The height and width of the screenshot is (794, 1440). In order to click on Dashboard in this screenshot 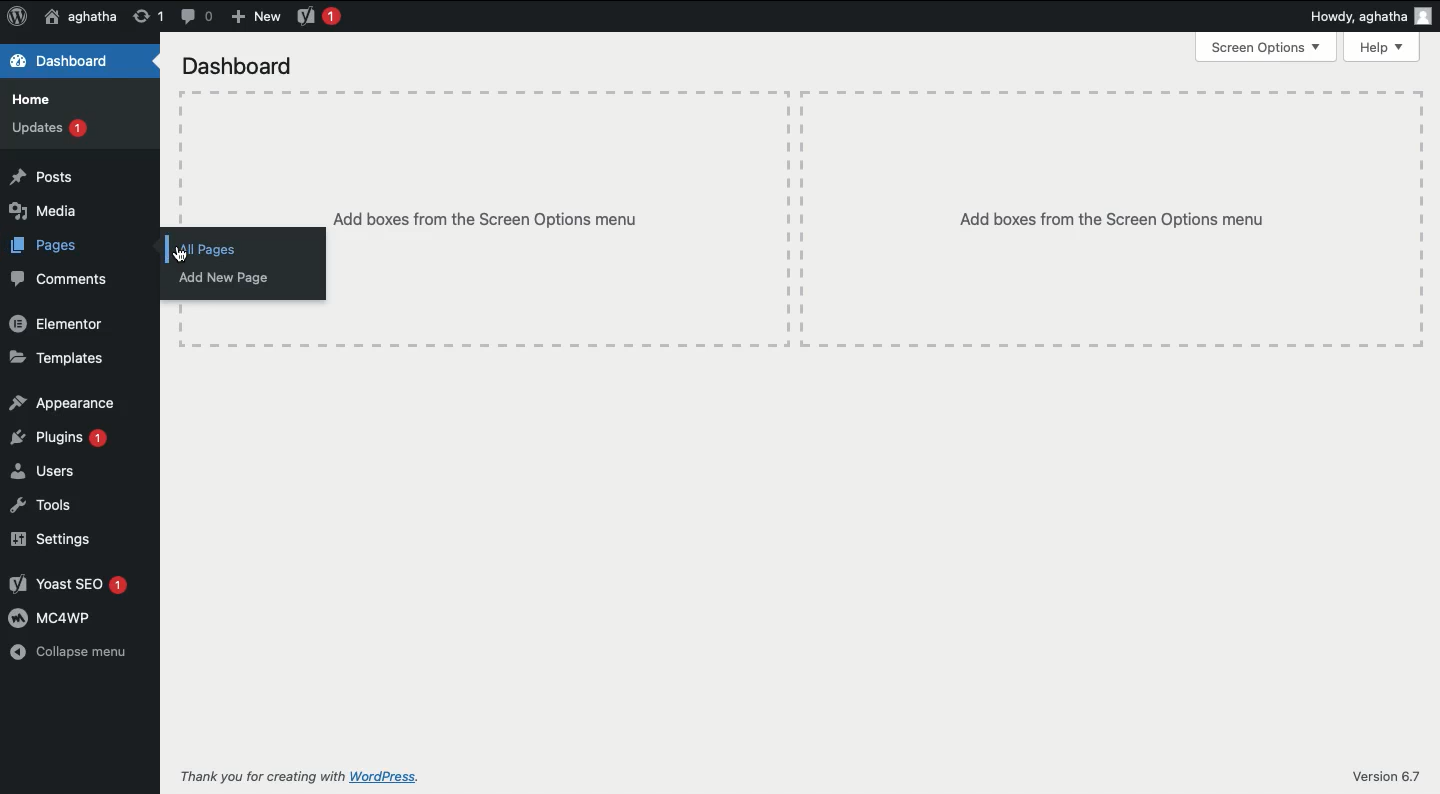, I will do `click(242, 67)`.